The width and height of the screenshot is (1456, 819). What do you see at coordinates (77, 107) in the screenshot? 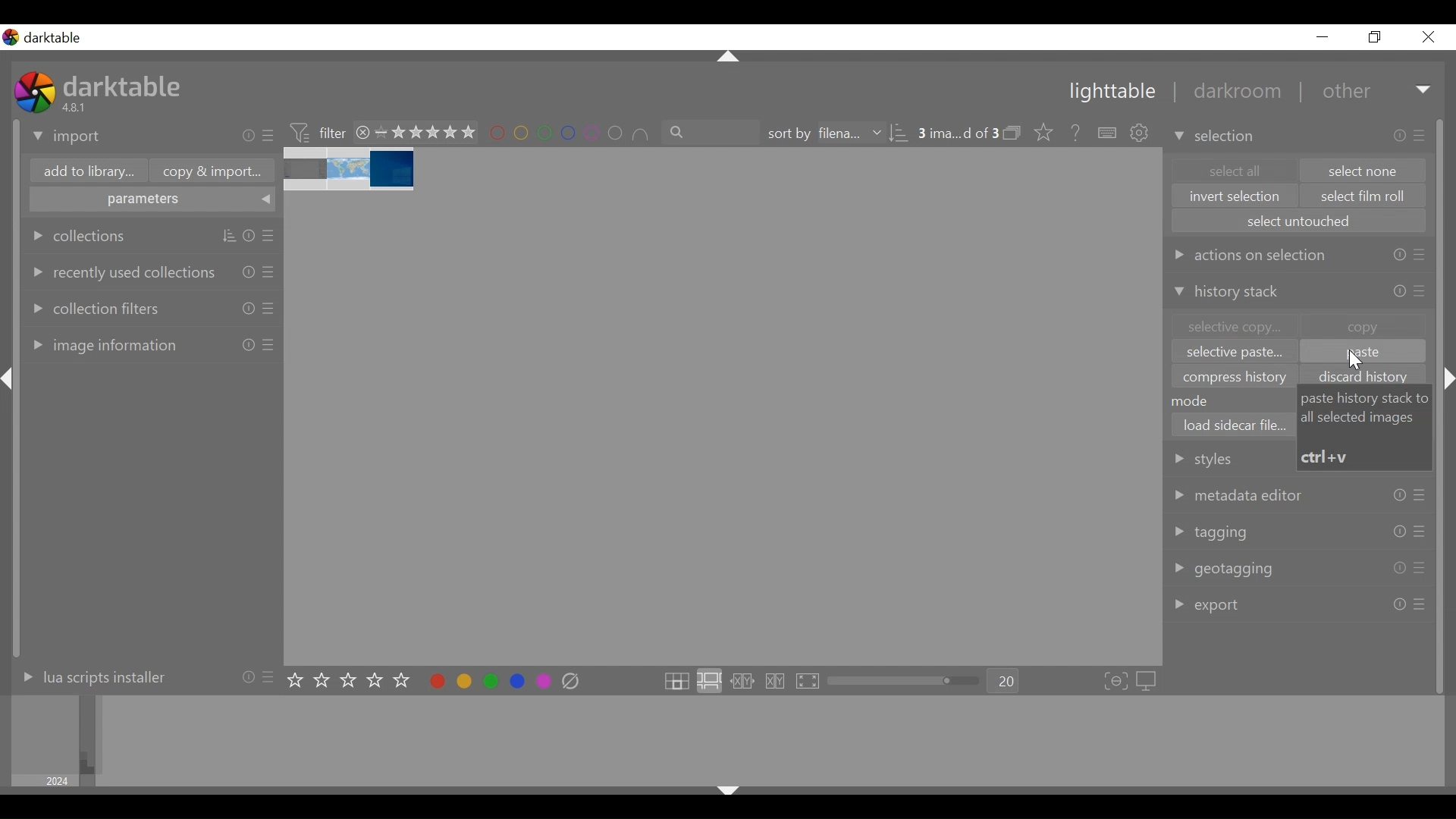
I see `version` at bounding box center [77, 107].